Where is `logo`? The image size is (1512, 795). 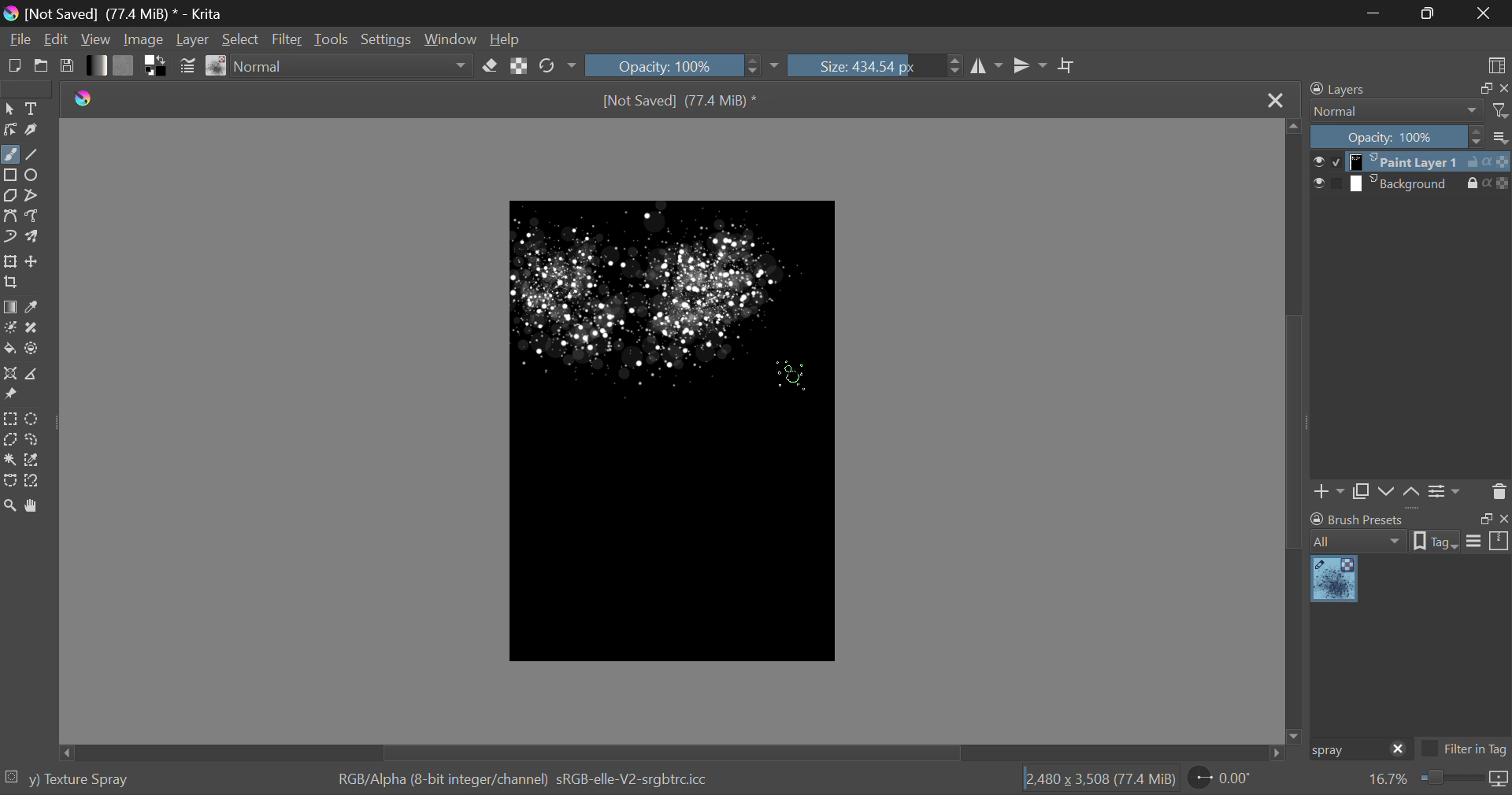
logo is located at coordinates (84, 99).